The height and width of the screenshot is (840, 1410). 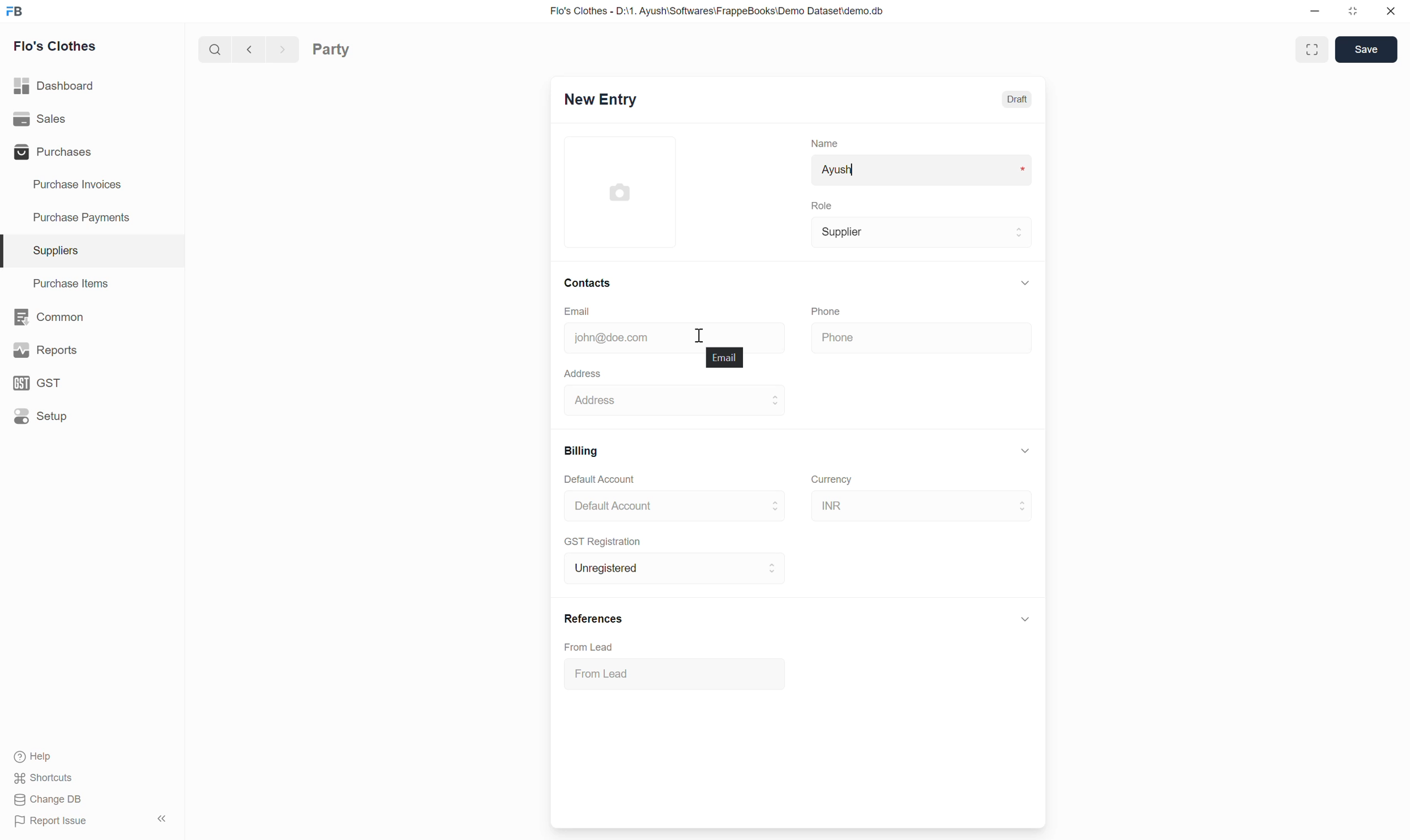 I want to click on Minimize, so click(x=1315, y=11).